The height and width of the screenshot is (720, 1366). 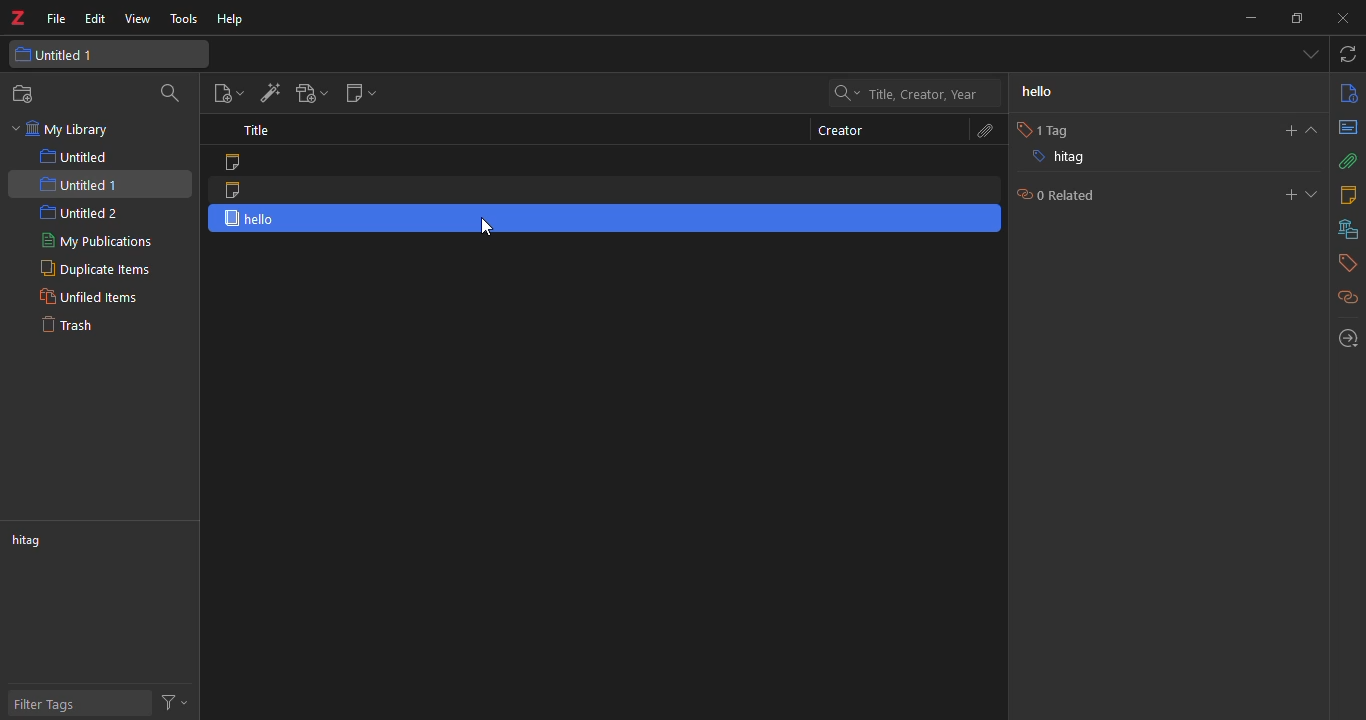 I want to click on notes, so click(x=1346, y=193).